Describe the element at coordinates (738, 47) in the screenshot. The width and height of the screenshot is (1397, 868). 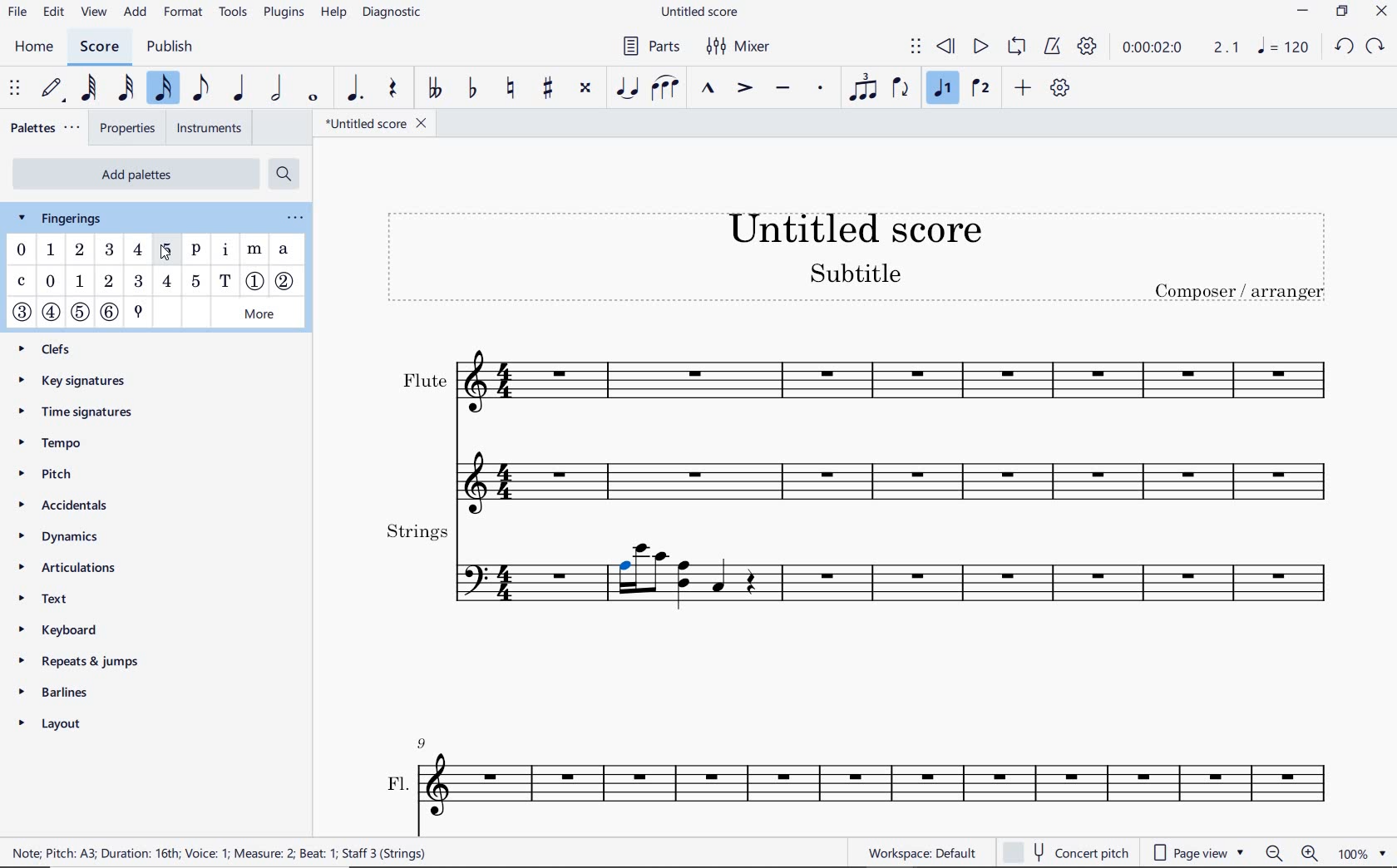
I see `mixer` at that location.